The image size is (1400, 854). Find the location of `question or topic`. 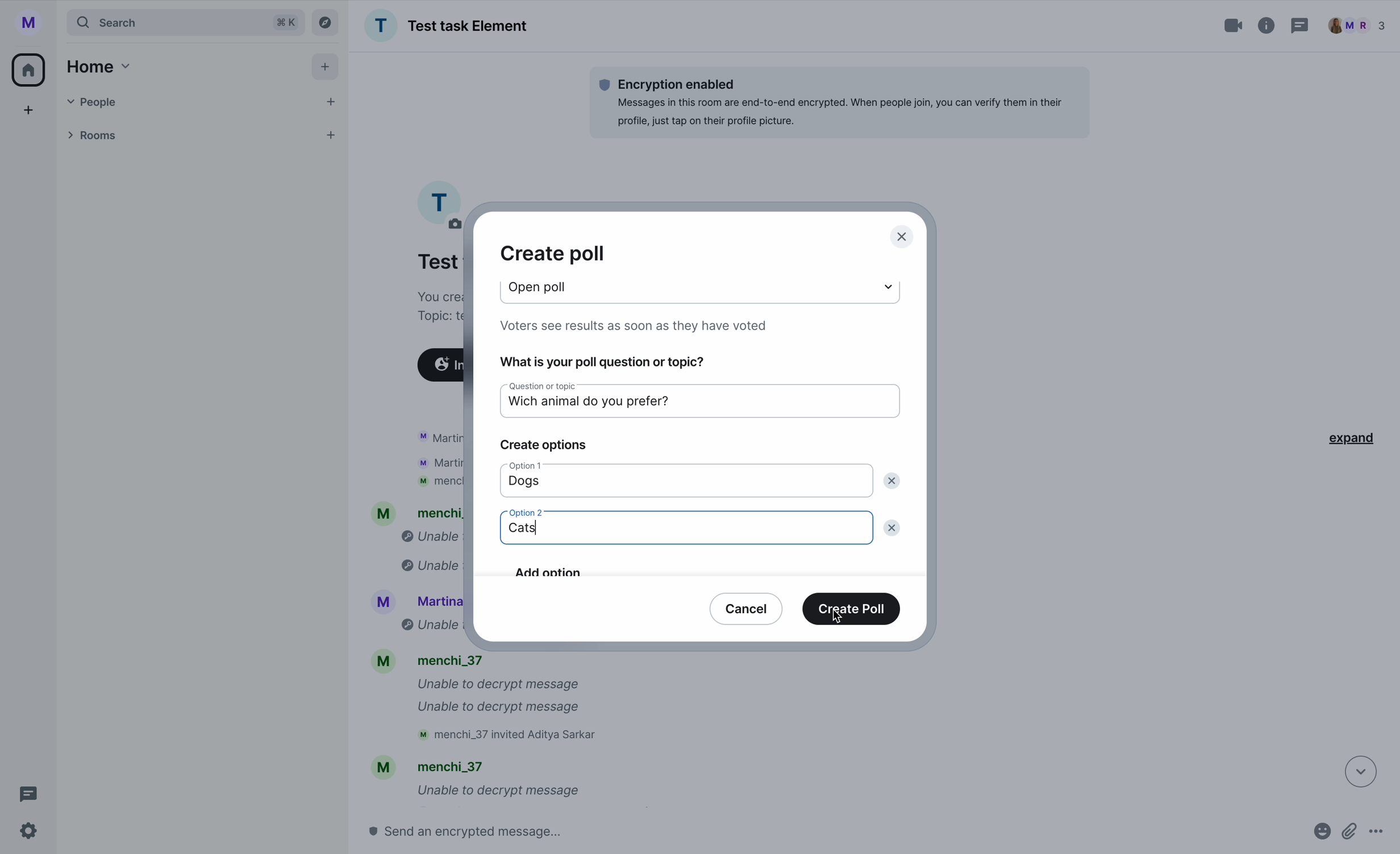

question or topic is located at coordinates (545, 388).